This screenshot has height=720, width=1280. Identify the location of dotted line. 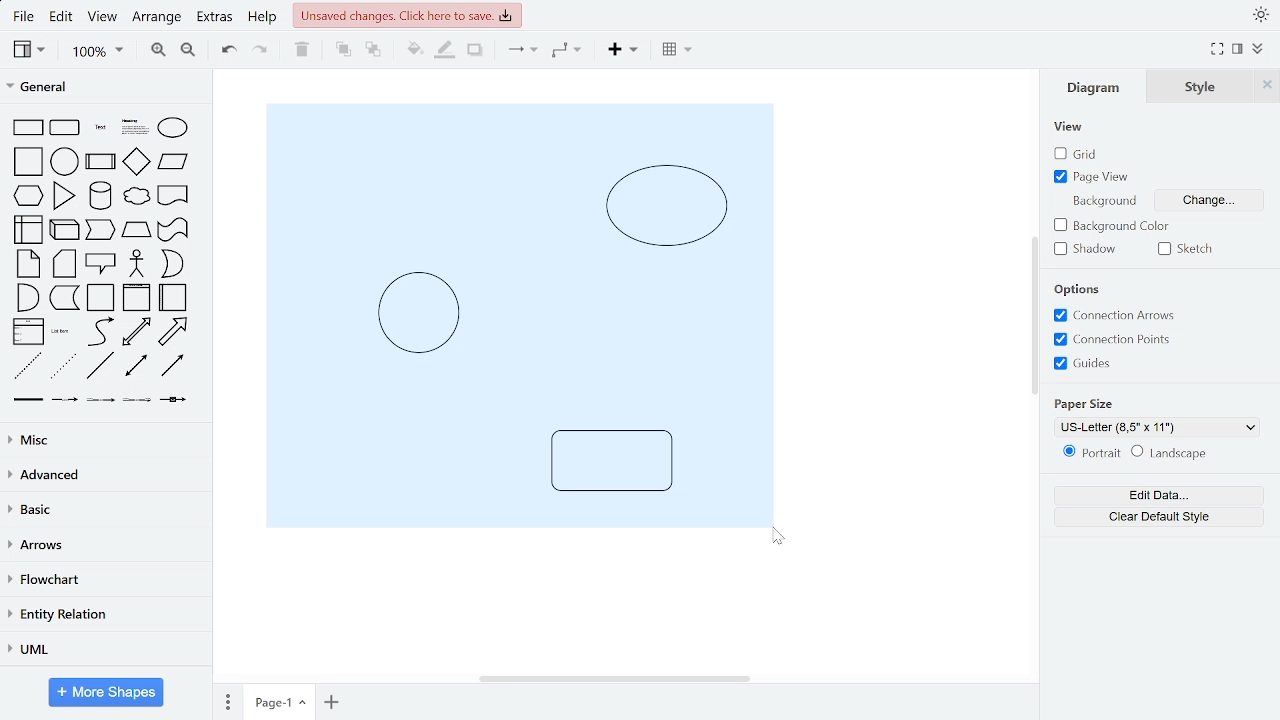
(64, 367).